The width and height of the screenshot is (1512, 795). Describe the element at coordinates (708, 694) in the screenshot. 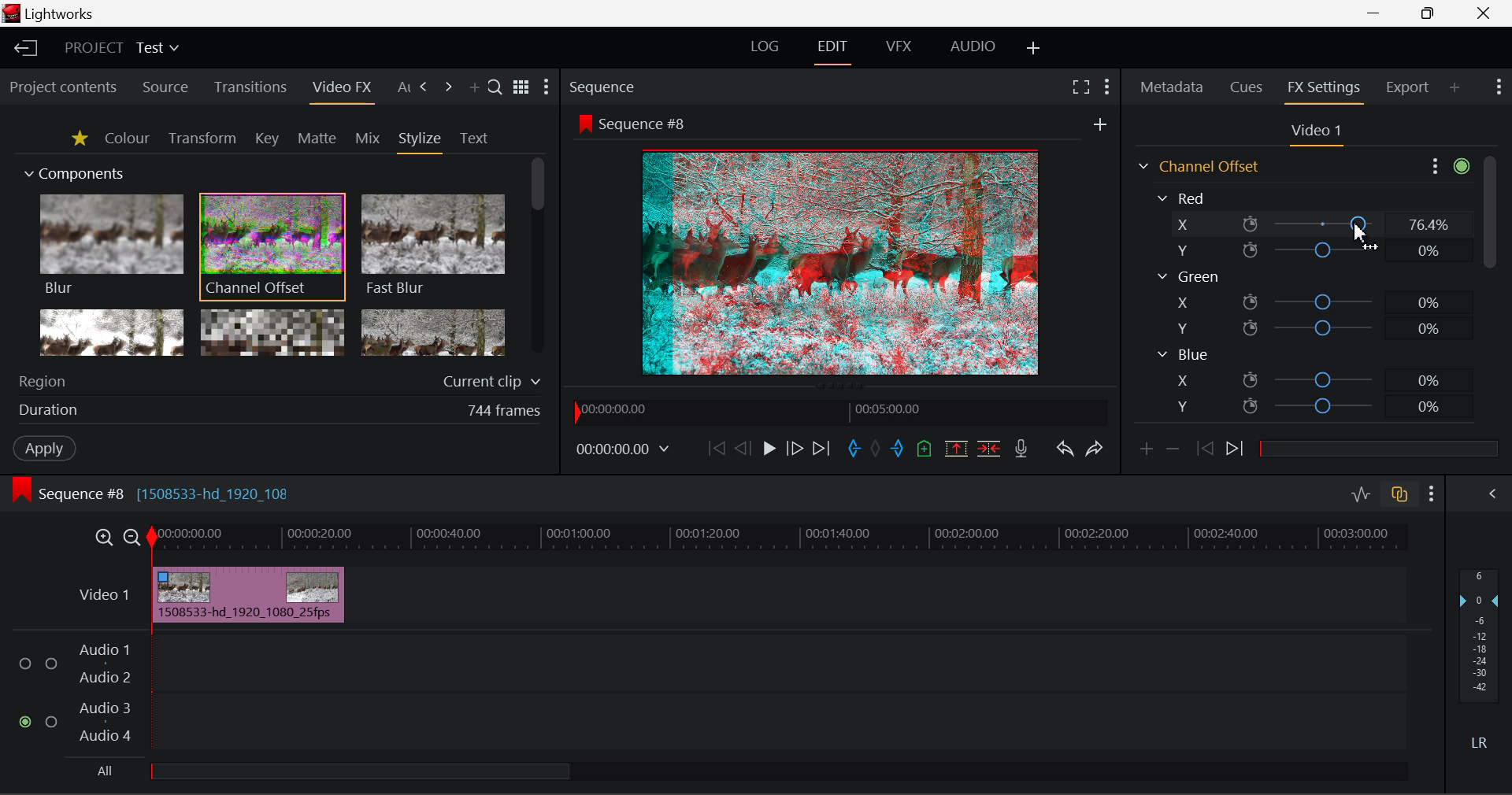

I see `Audio Input Field` at that location.